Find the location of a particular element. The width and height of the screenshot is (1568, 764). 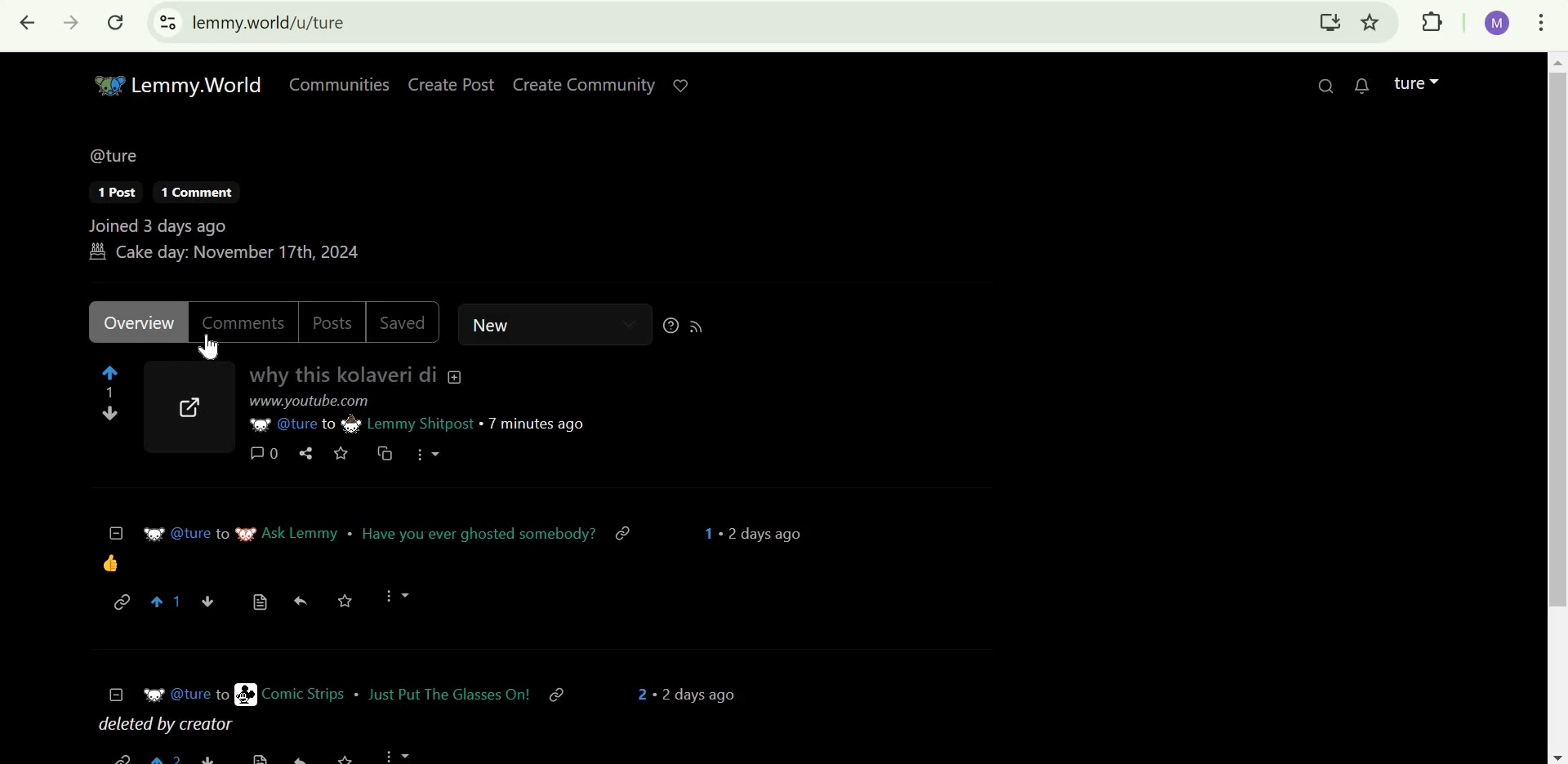

bookmark this tab is located at coordinates (1371, 22).